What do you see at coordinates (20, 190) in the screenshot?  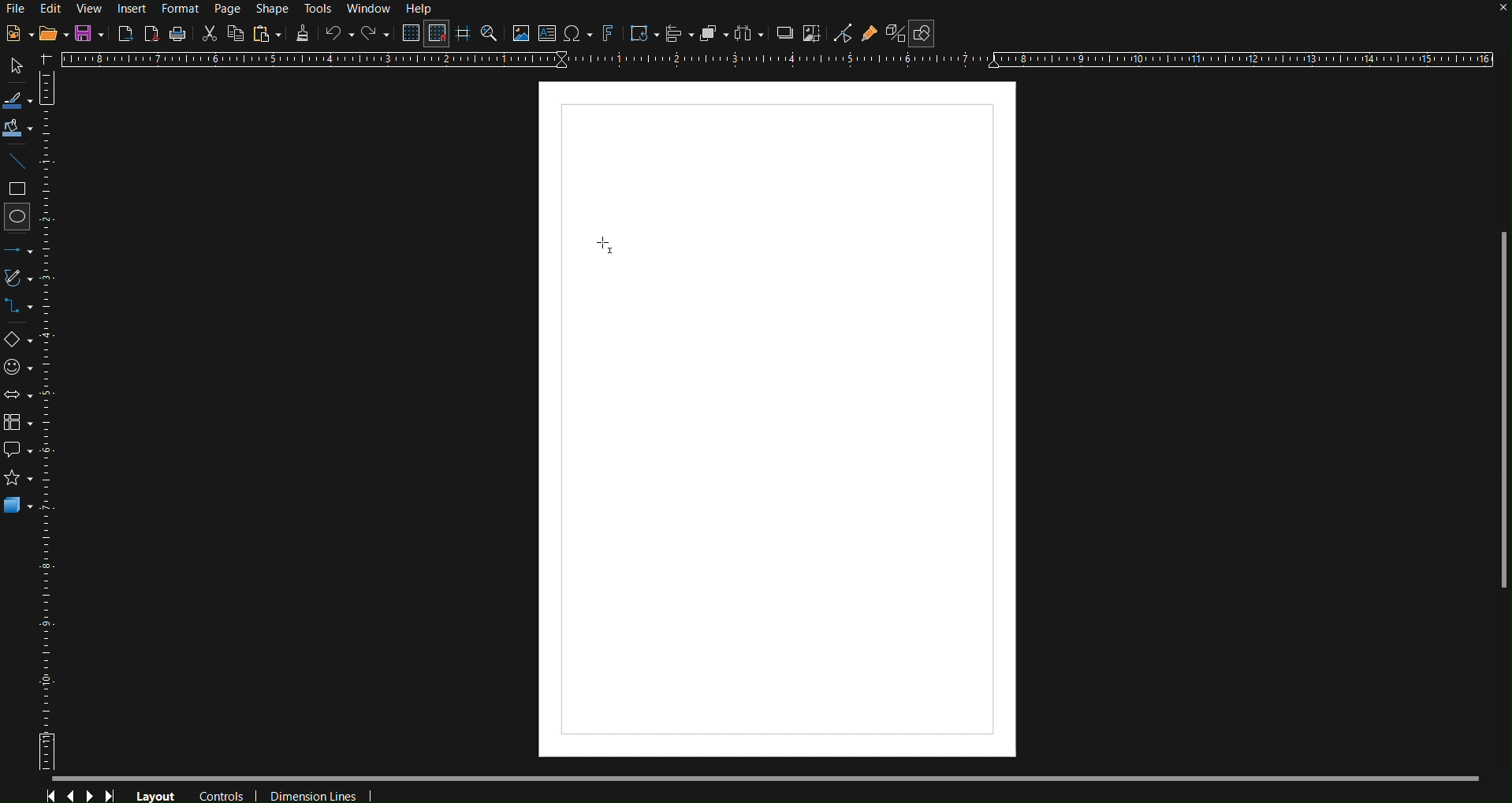 I see `Rectangle` at bounding box center [20, 190].